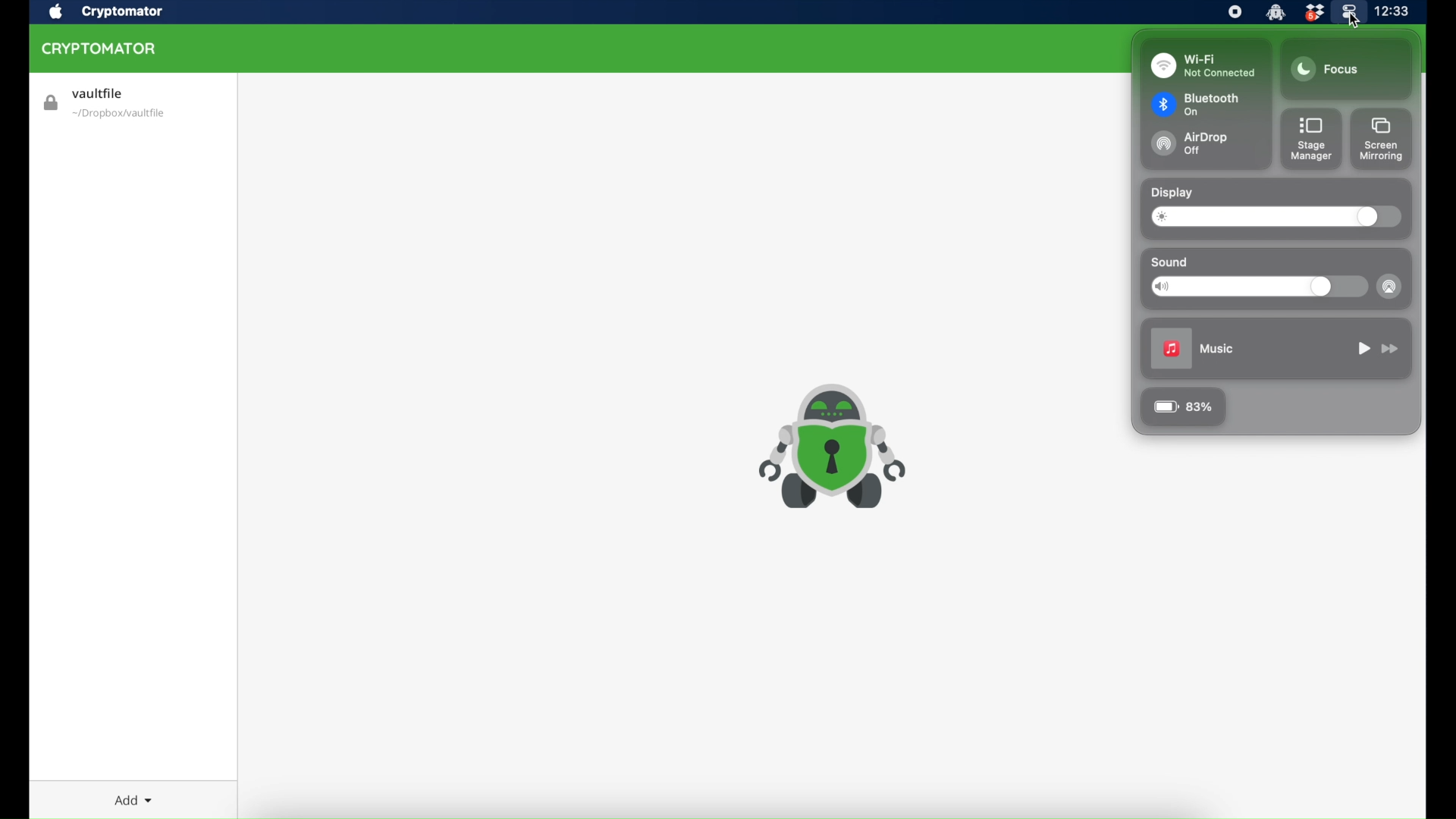 This screenshot has width=1456, height=819. What do you see at coordinates (1276, 281) in the screenshot?
I see `sound` at bounding box center [1276, 281].